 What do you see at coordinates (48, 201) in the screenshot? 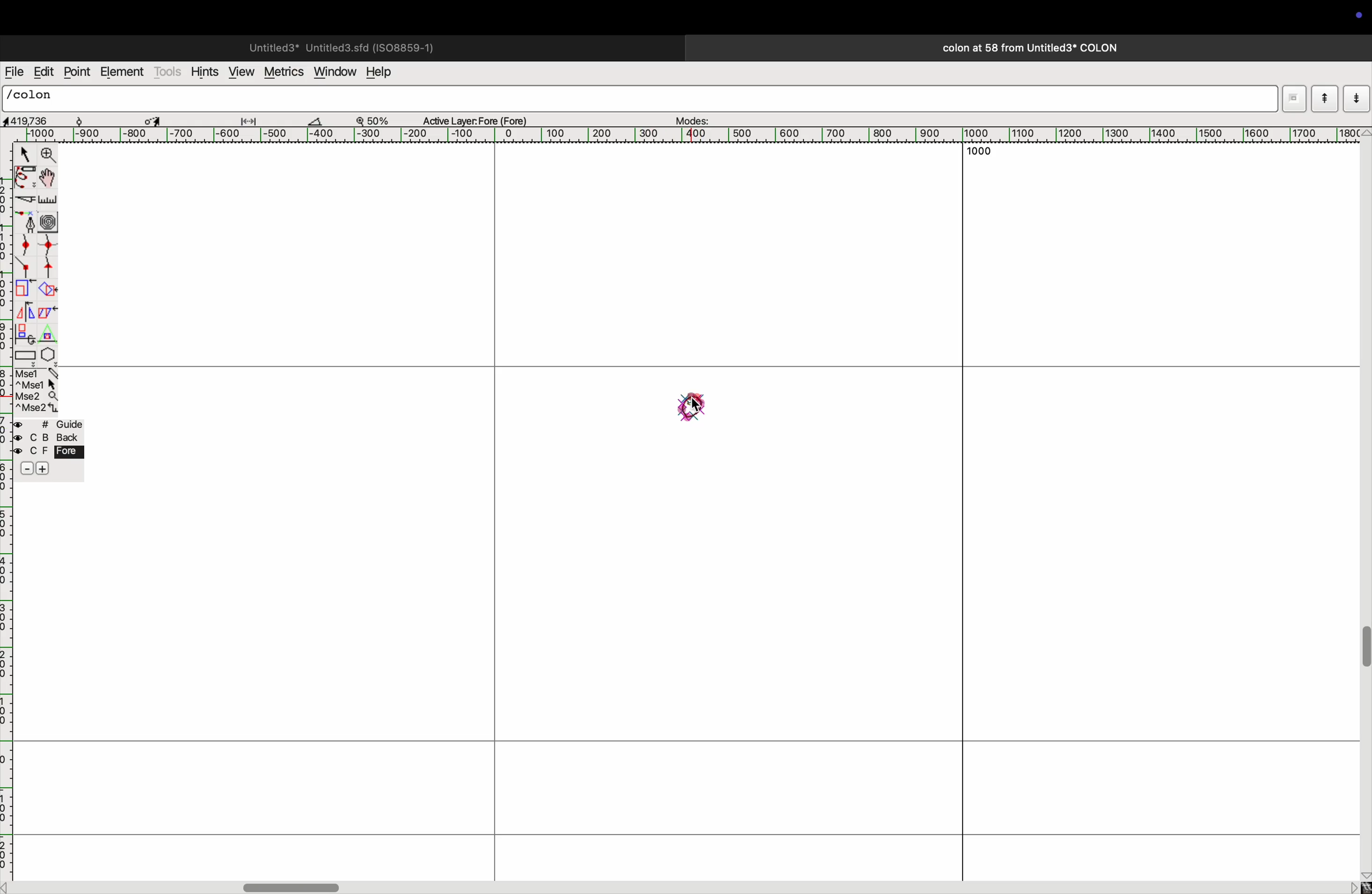
I see `scale` at bounding box center [48, 201].